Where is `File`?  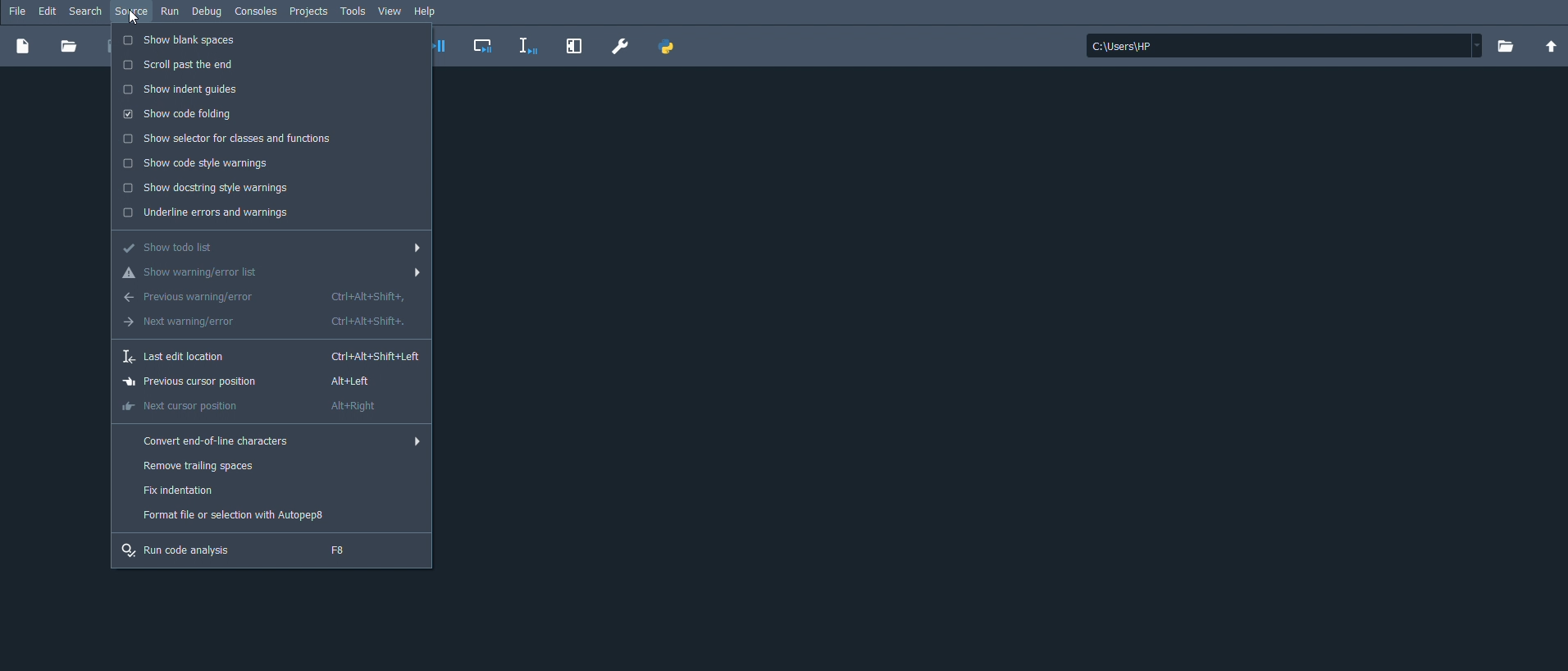
File is located at coordinates (17, 11).